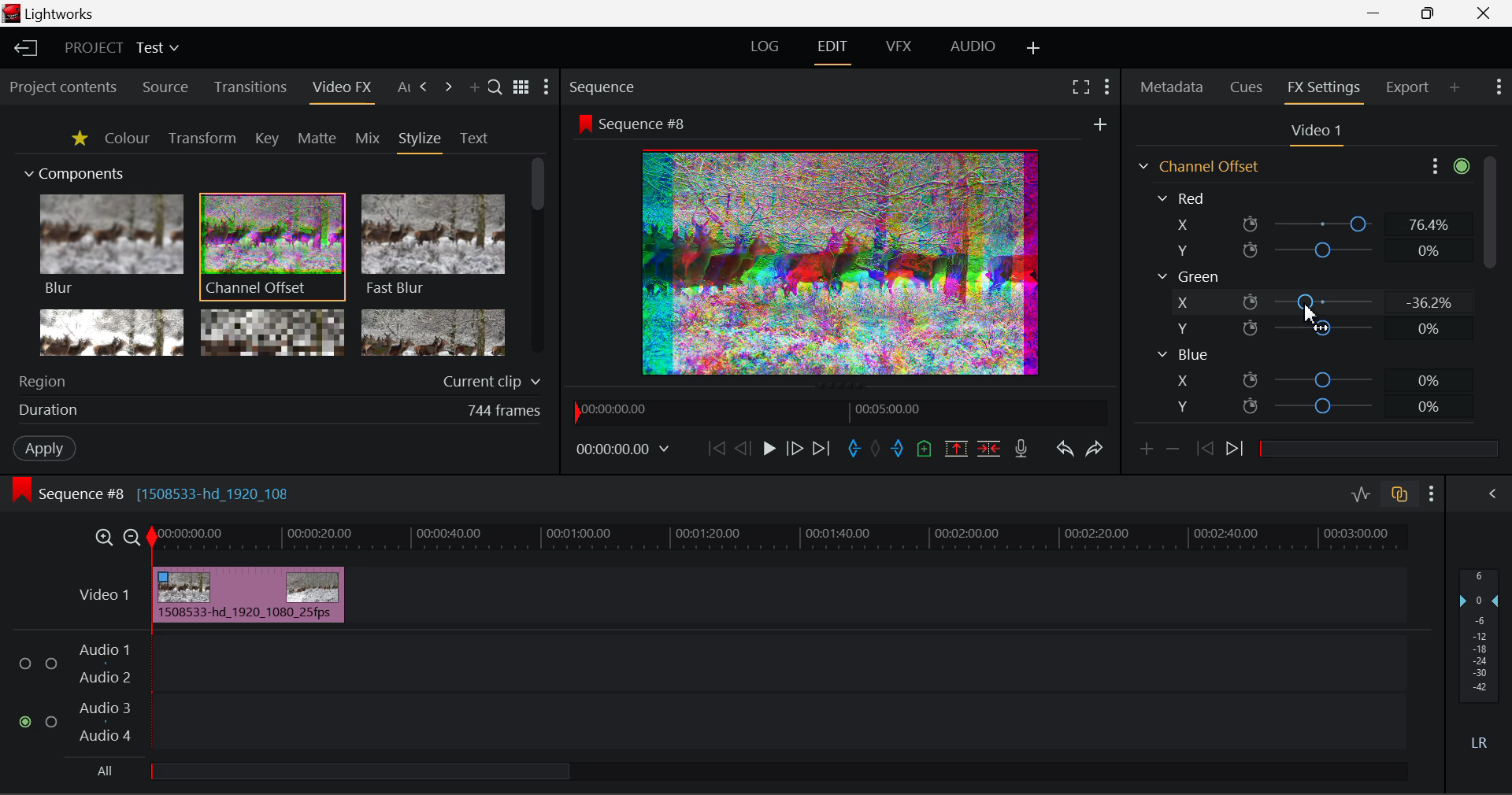 This screenshot has height=795, width=1512. Describe the element at coordinates (1170, 87) in the screenshot. I see `Metadata Tab` at that location.